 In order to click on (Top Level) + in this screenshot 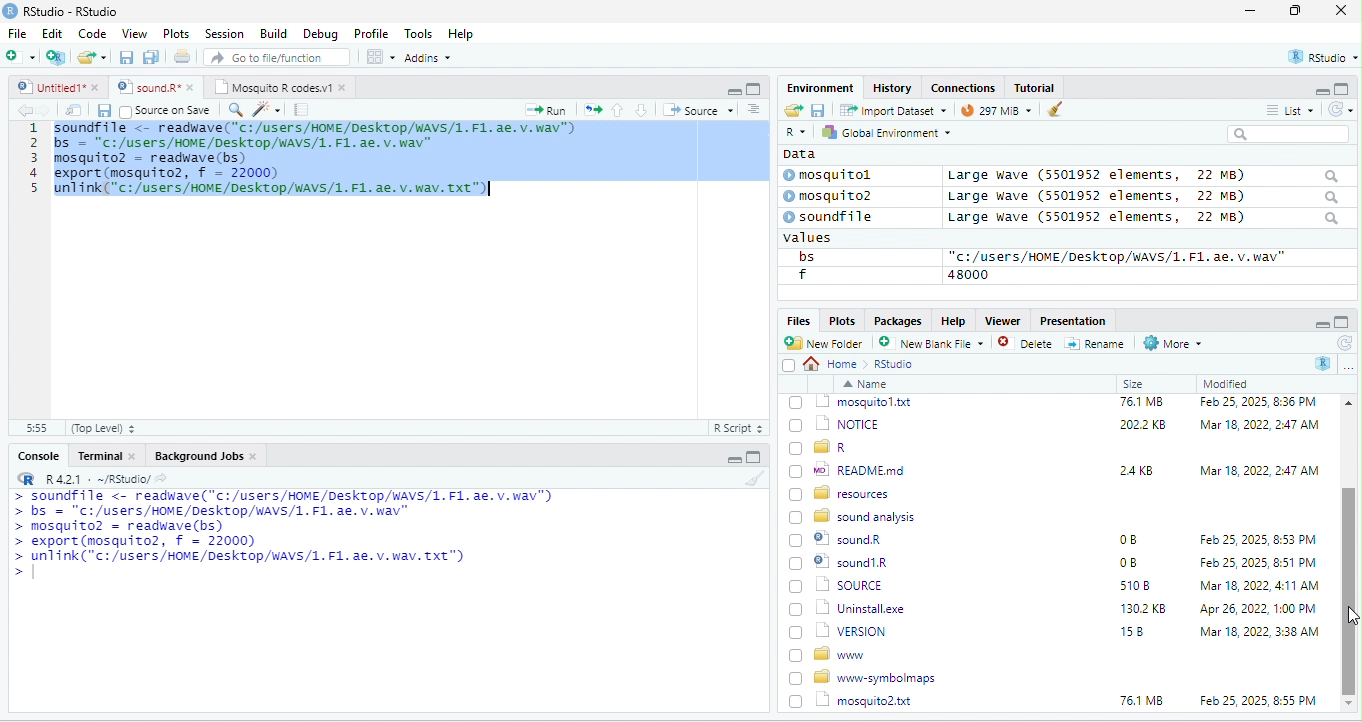, I will do `click(103, 428)`.